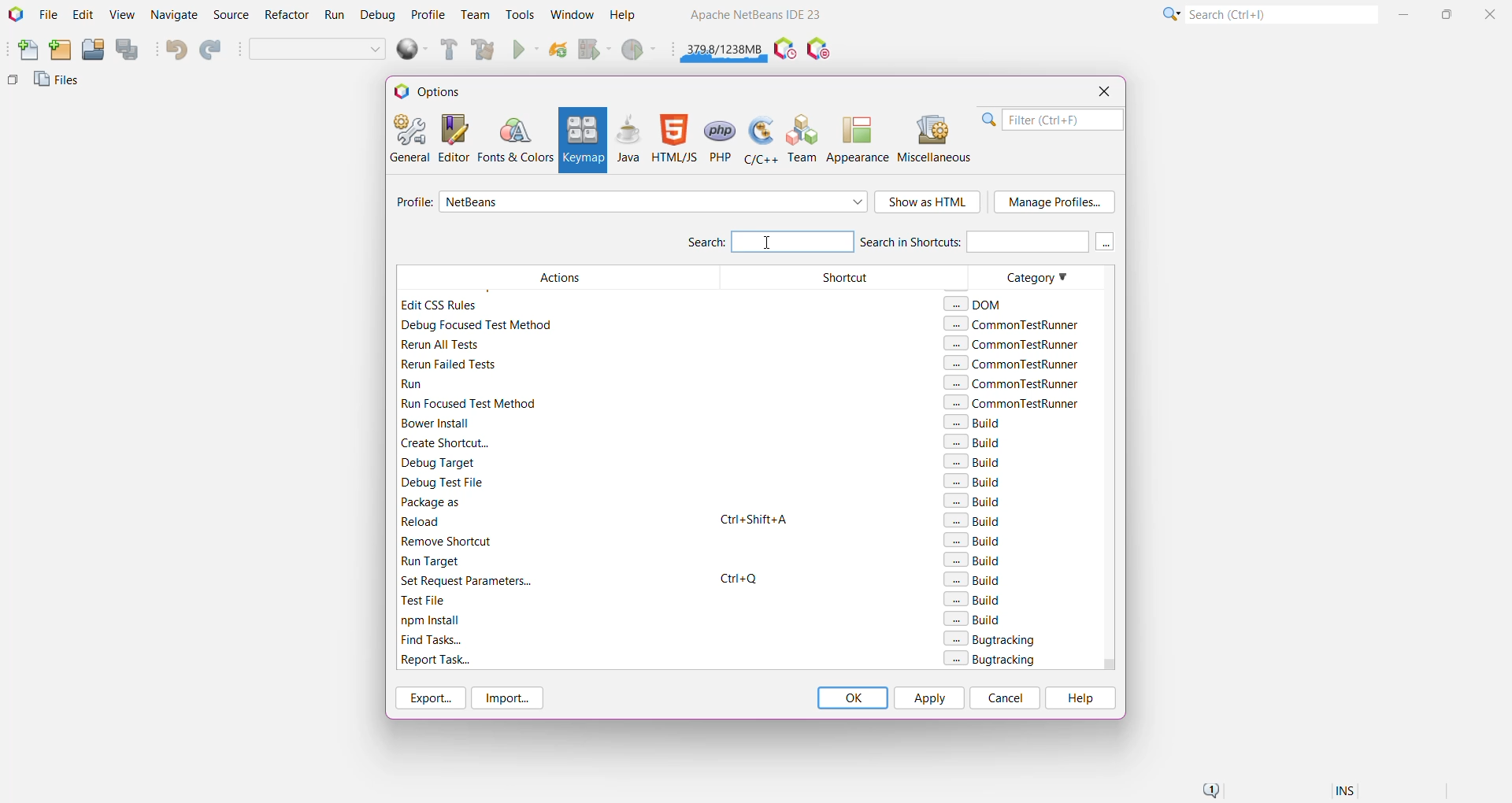  Describe the element at coordinates (721, 139) in the screenshot. I see `PHP` at that location.